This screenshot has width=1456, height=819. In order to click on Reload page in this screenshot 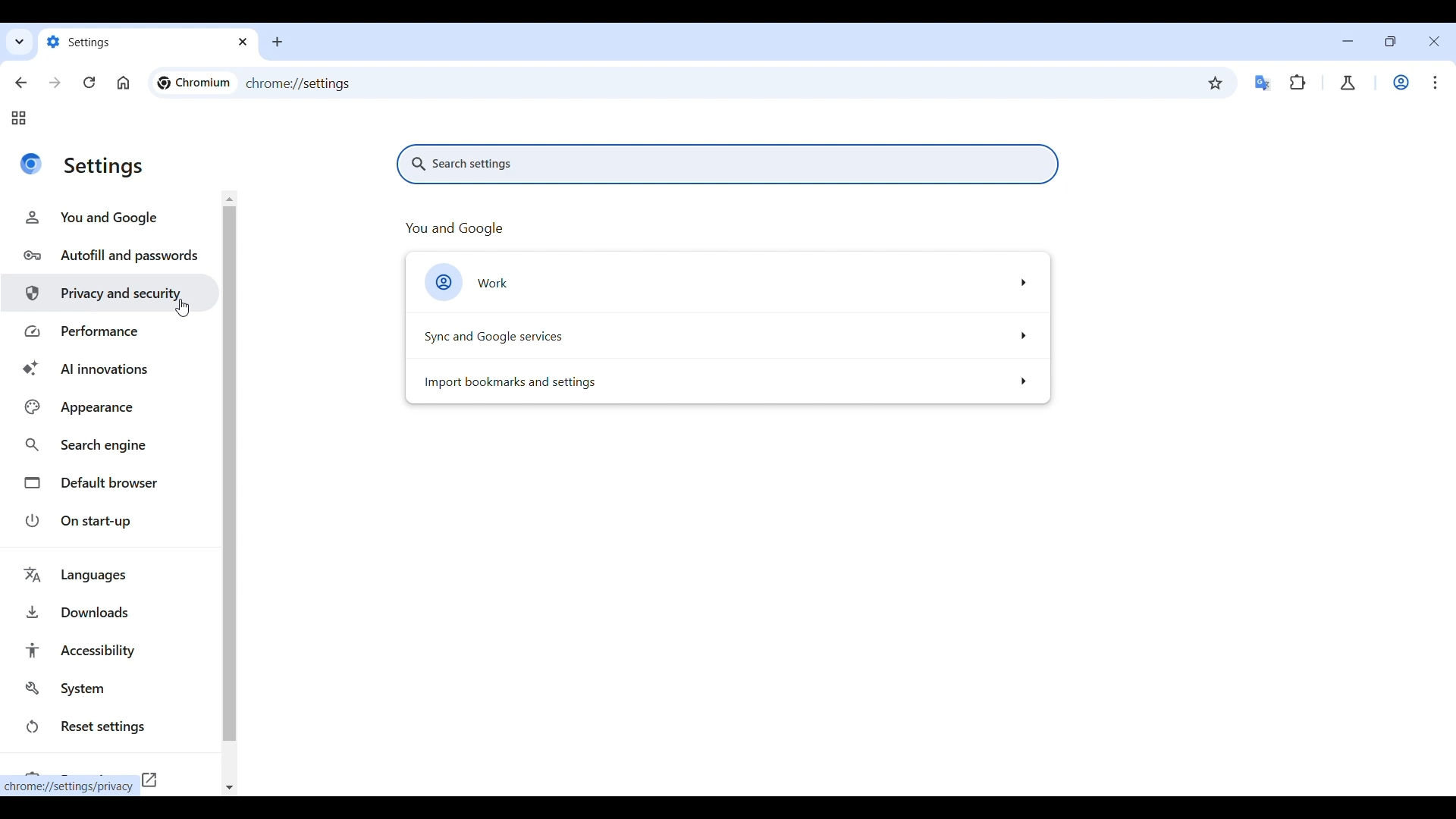, I will do `click(89, 83)`.